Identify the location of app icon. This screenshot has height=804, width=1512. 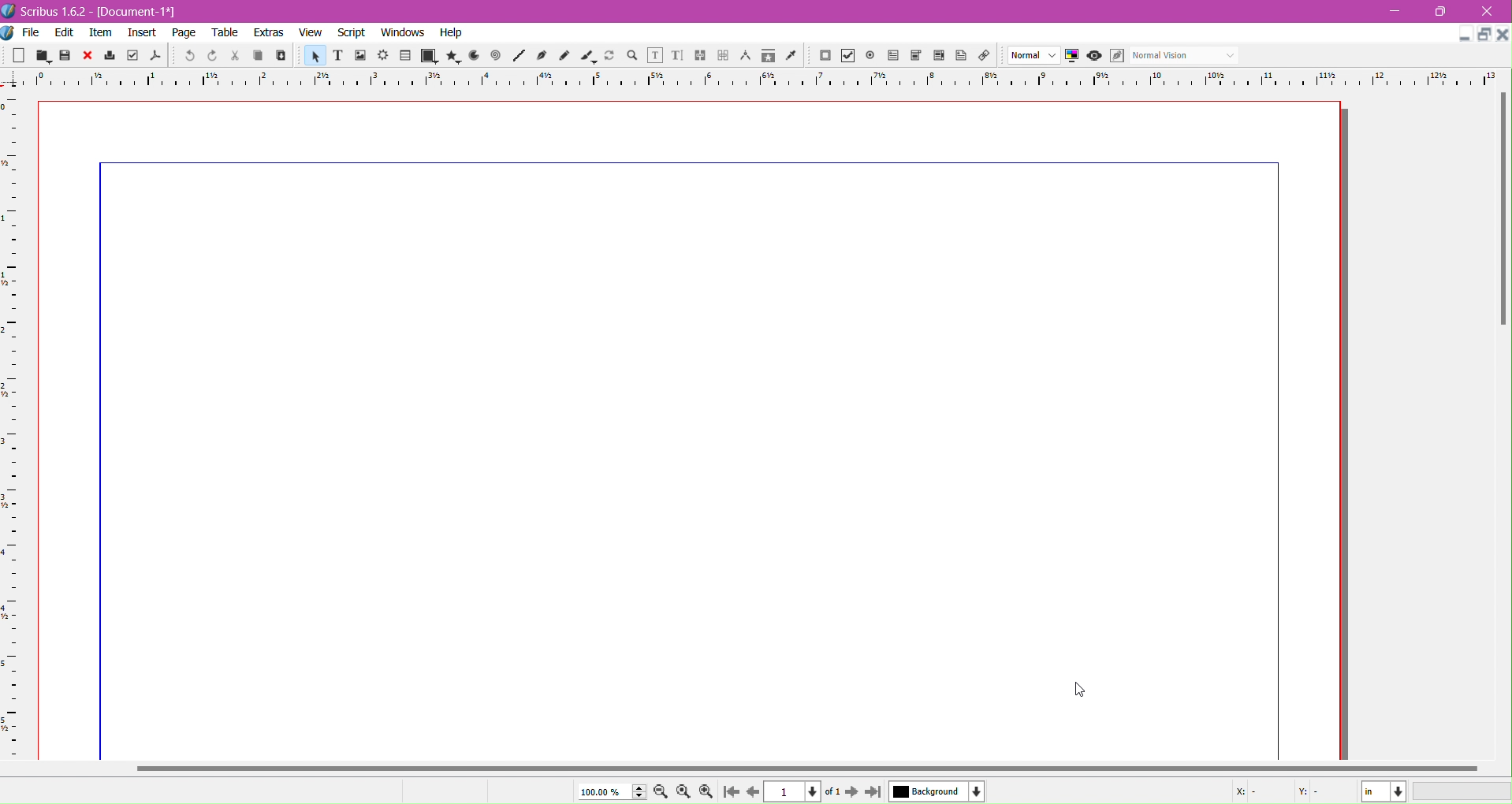
(9, 33).